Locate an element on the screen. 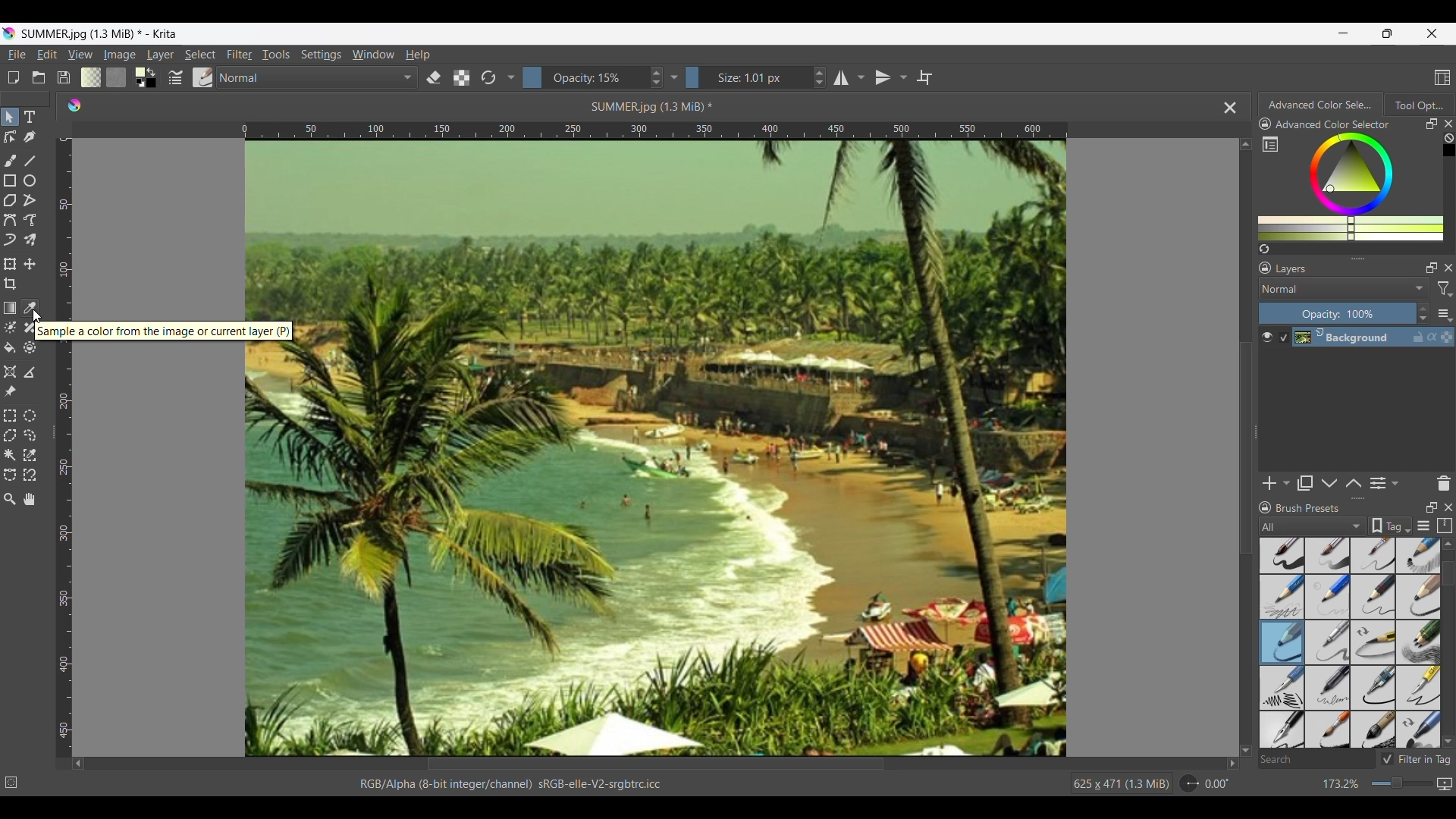  Add is located at coordinates (1269, 483).